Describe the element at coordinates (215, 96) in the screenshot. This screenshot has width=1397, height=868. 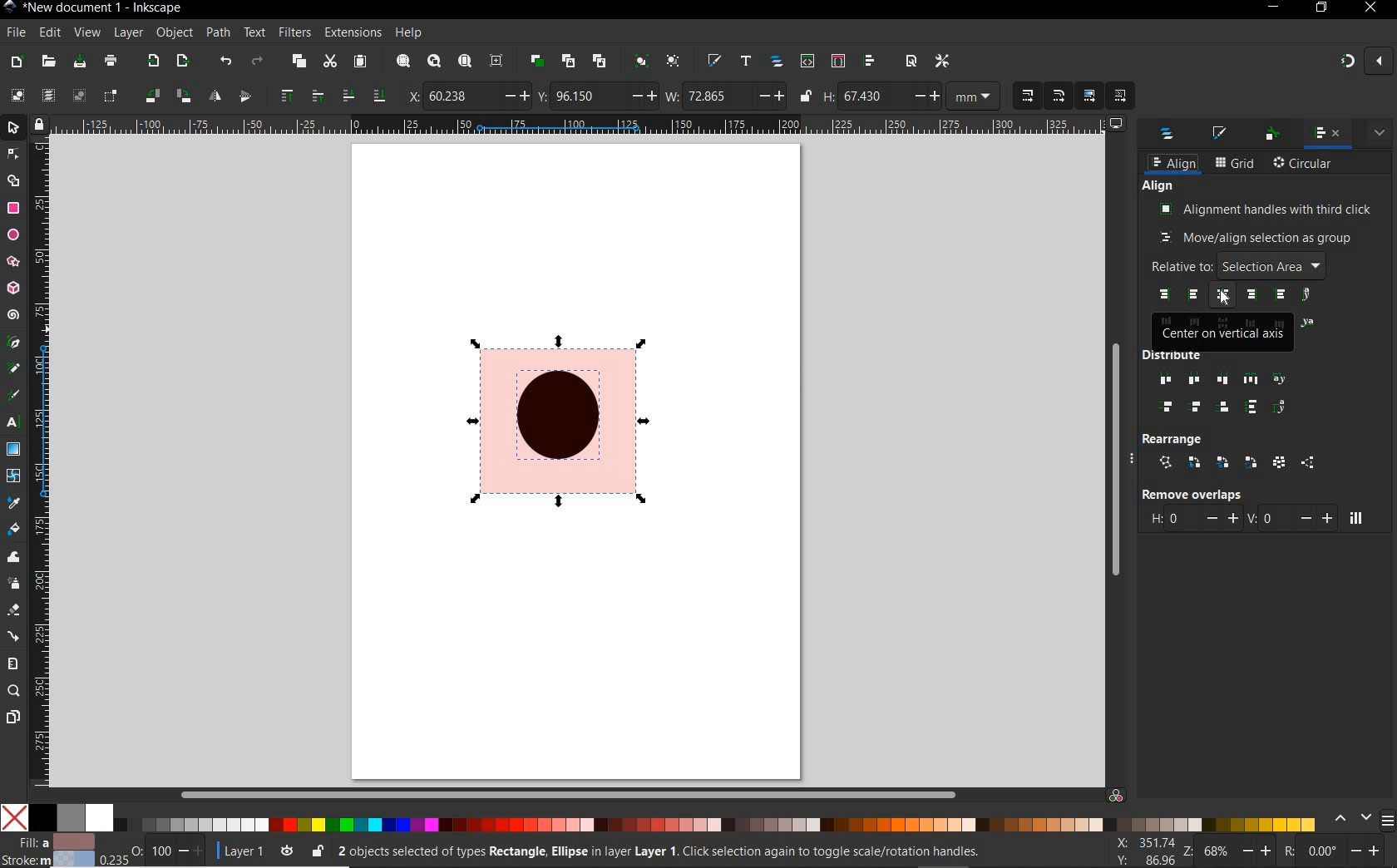
I see `object flip horizontal` at that location.